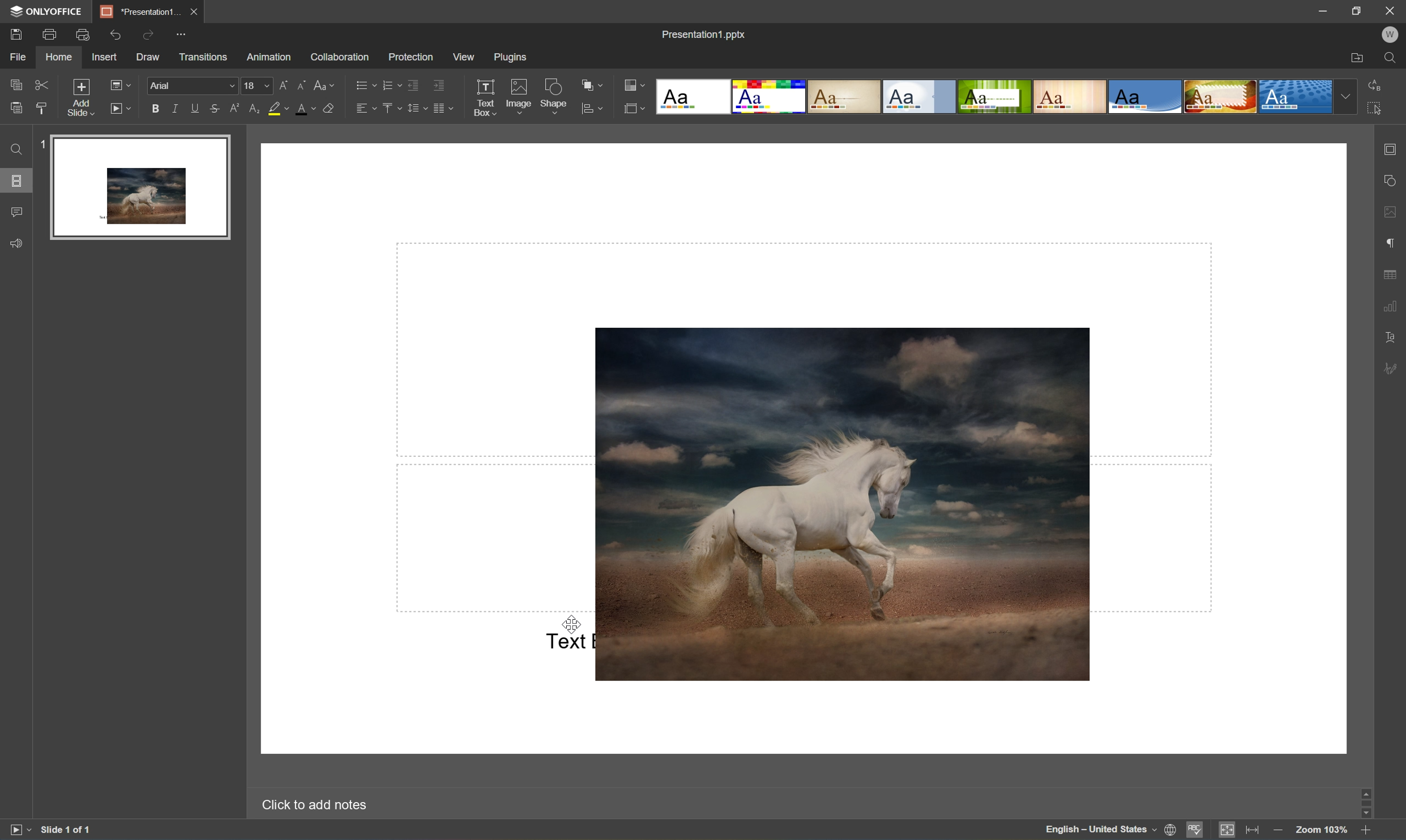  What do you see at coordinates (1253, 830) in the screenshot?
I see `Fit to width` at bounding box center [1253, 830].